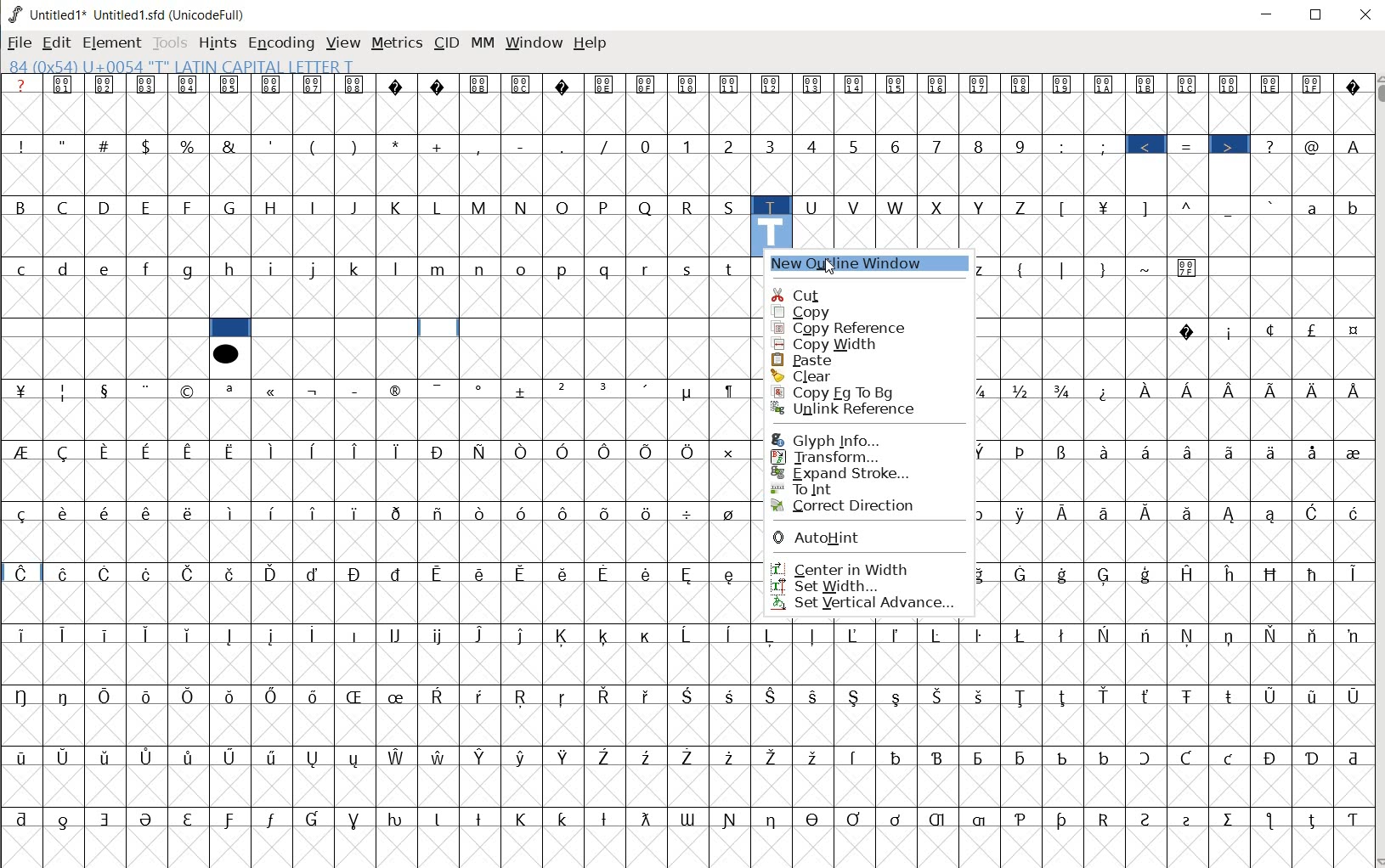 The image size is (1385, 868). Describe the element at coordinates (1148, 697) in the screenshot. I see `Symbol` at that location.